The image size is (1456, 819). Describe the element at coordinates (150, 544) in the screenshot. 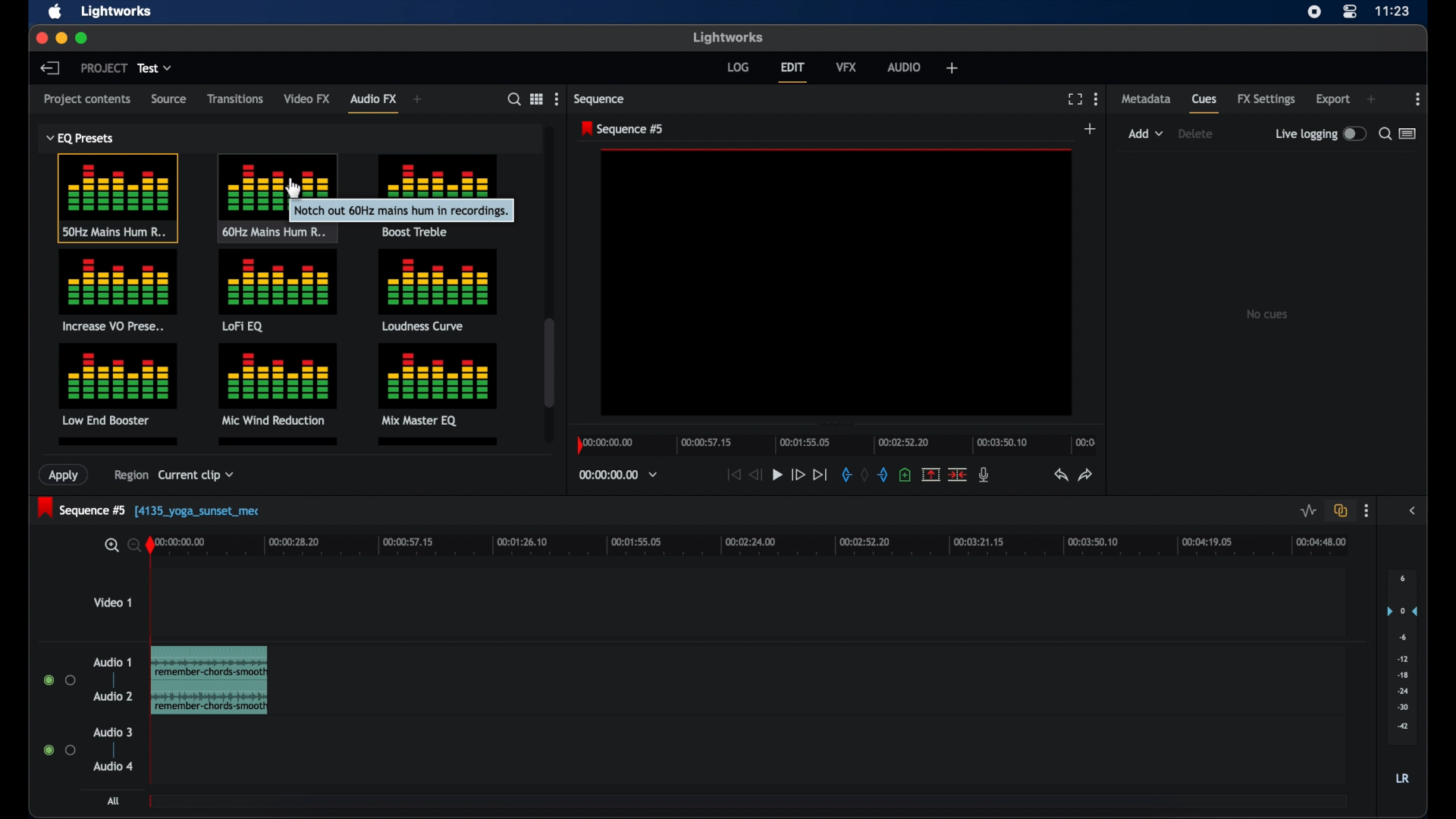

I see `playhead` at that location.